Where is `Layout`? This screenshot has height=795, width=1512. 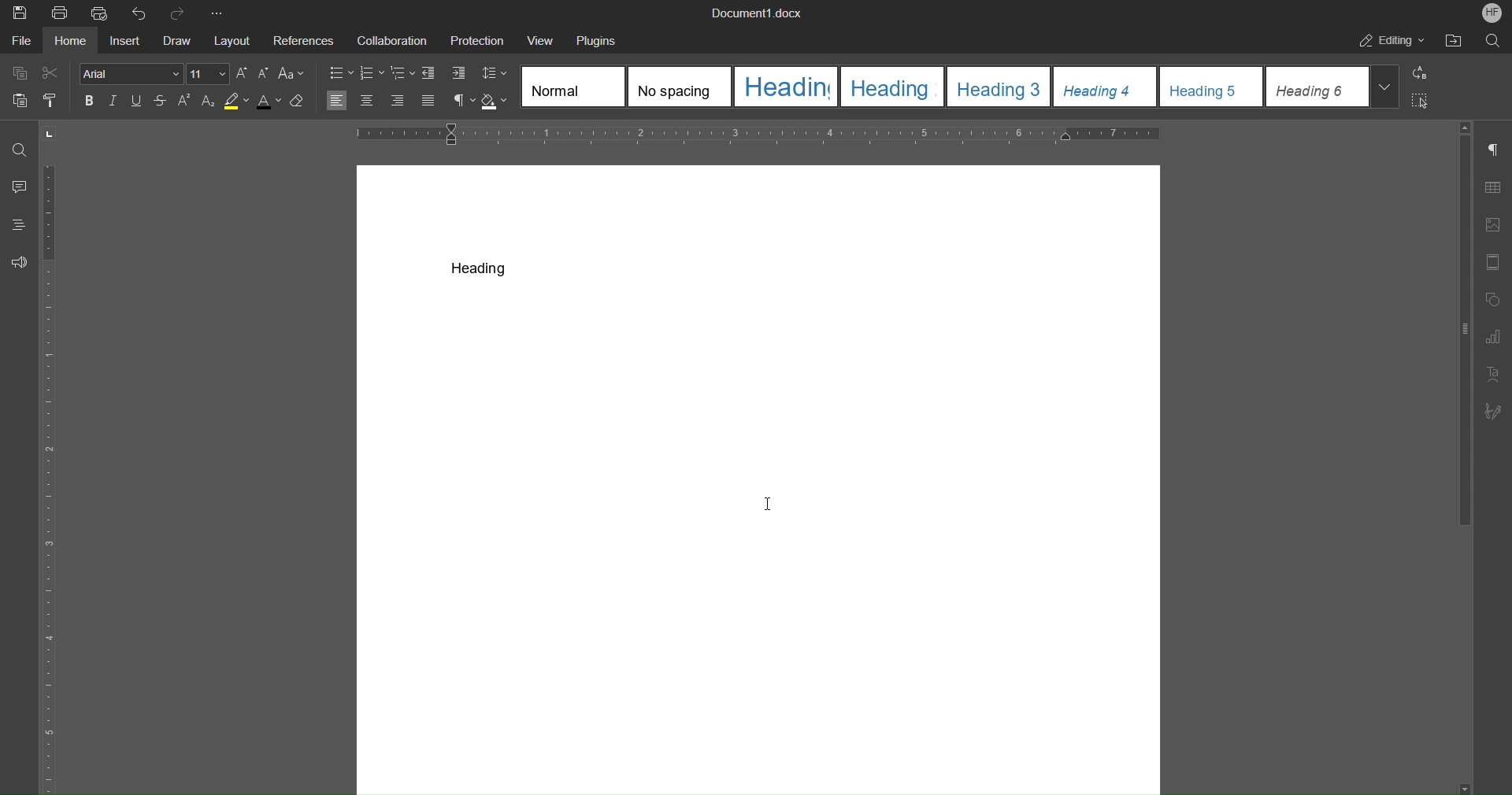
Layout is located at coordinates (230, 39).